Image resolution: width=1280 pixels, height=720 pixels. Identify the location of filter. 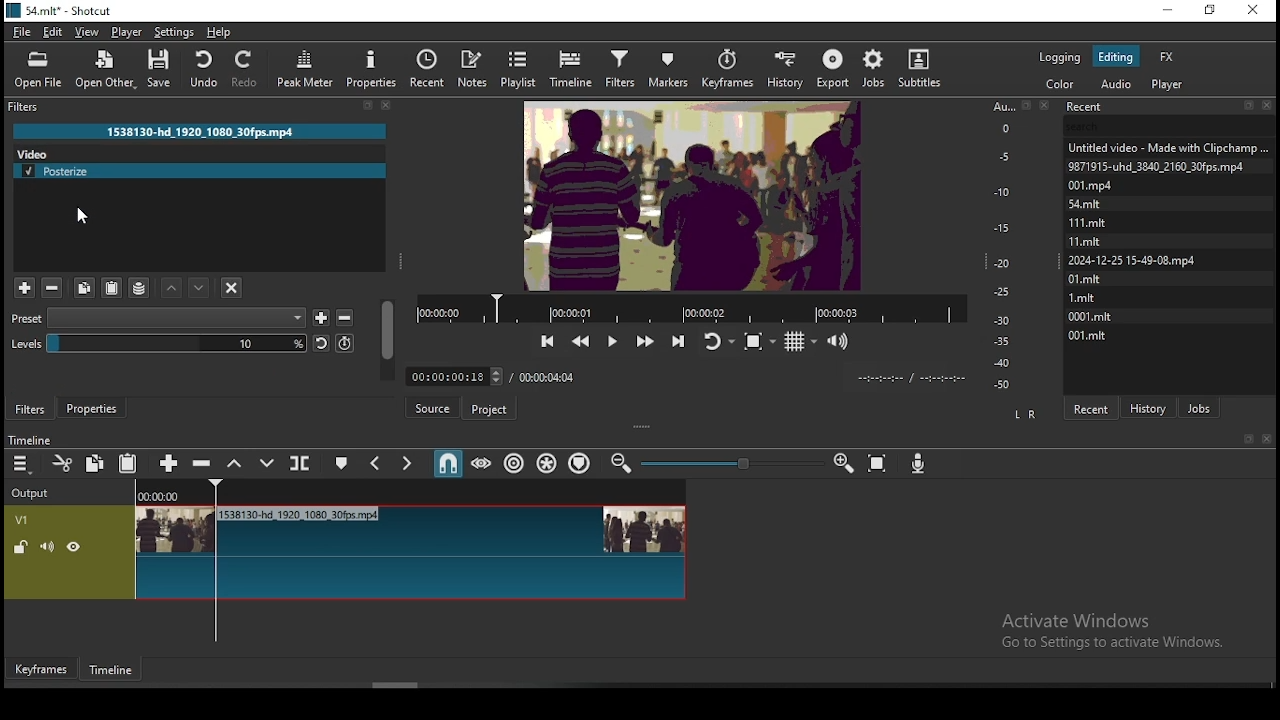
(207, 107).